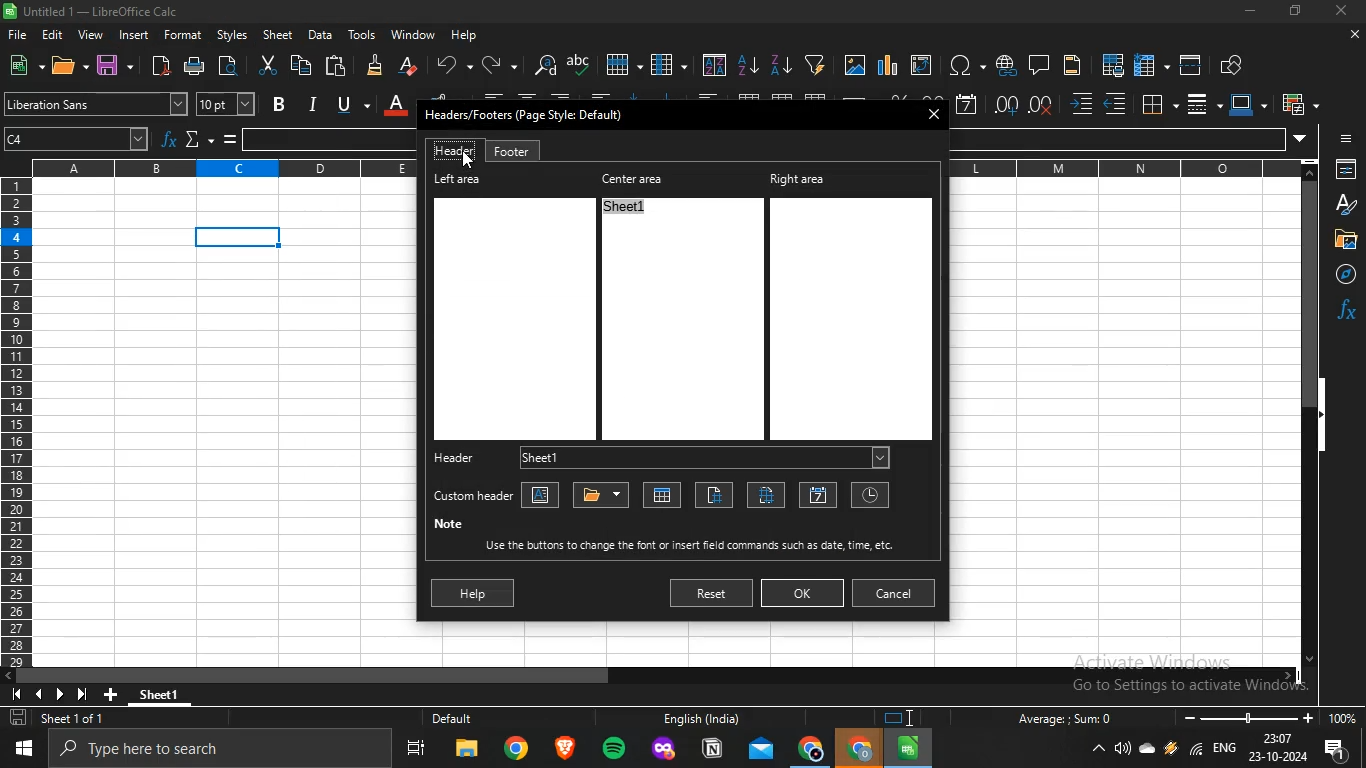 This screenshot has height=768, width=1366. I want to click on Default, so click(473, 719).